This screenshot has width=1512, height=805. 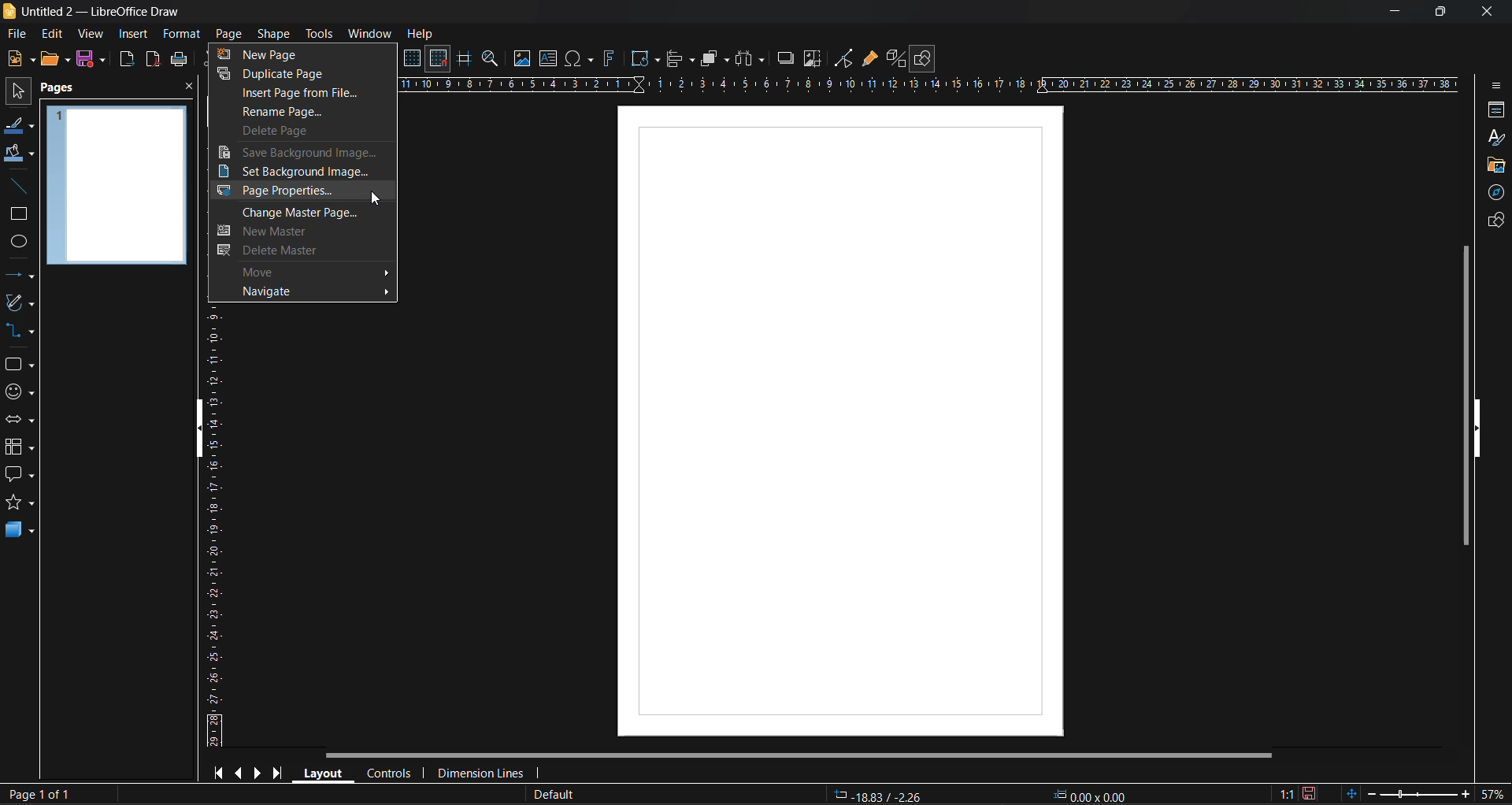 What do you see at coordinates (898, 58) in the screenshot?
I see `toggle extrusion` at bounding box center [898, 58].